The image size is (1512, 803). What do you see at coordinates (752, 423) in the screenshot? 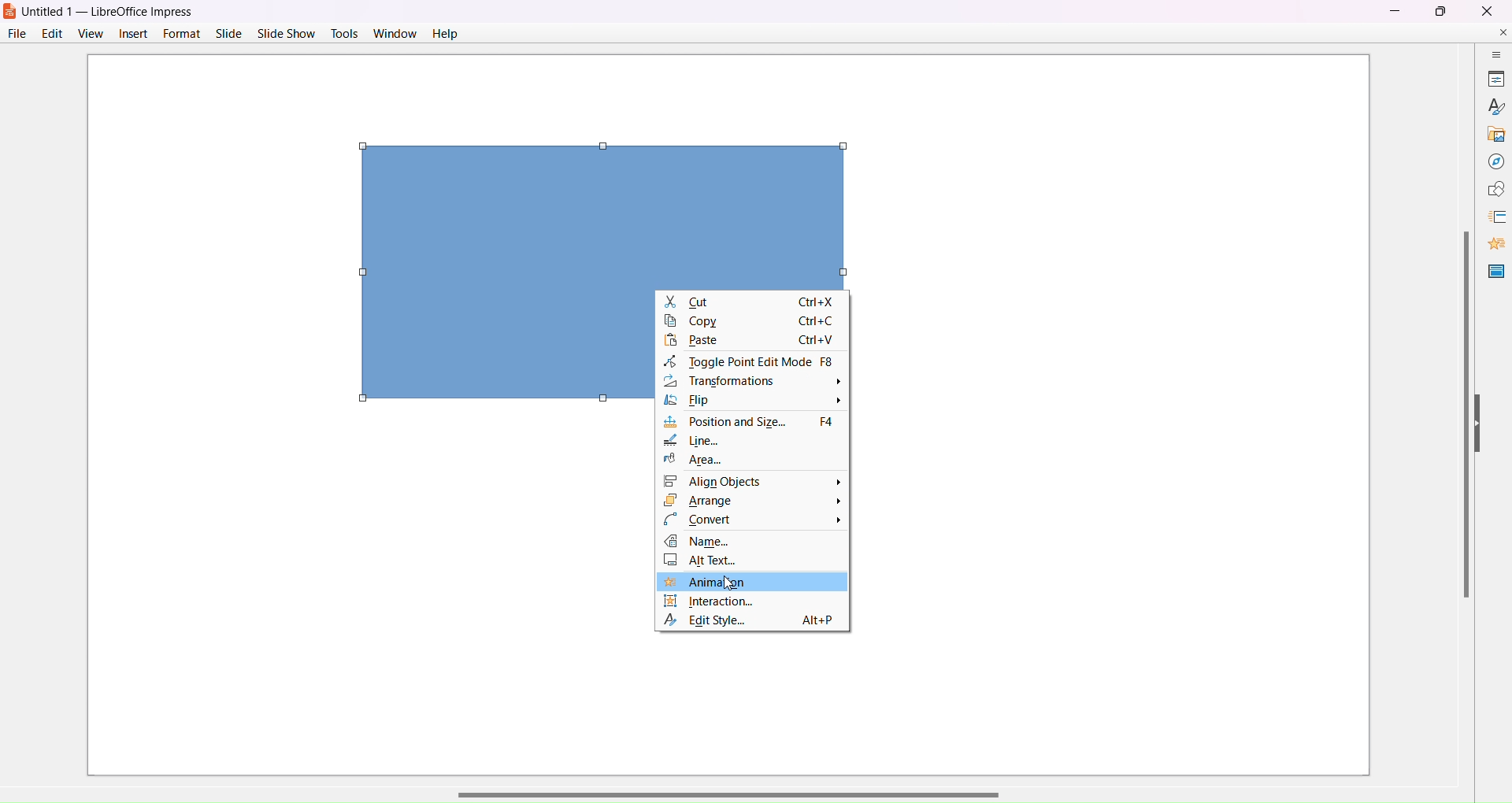
I see `Position and Size` at bounding box center [752, 423].